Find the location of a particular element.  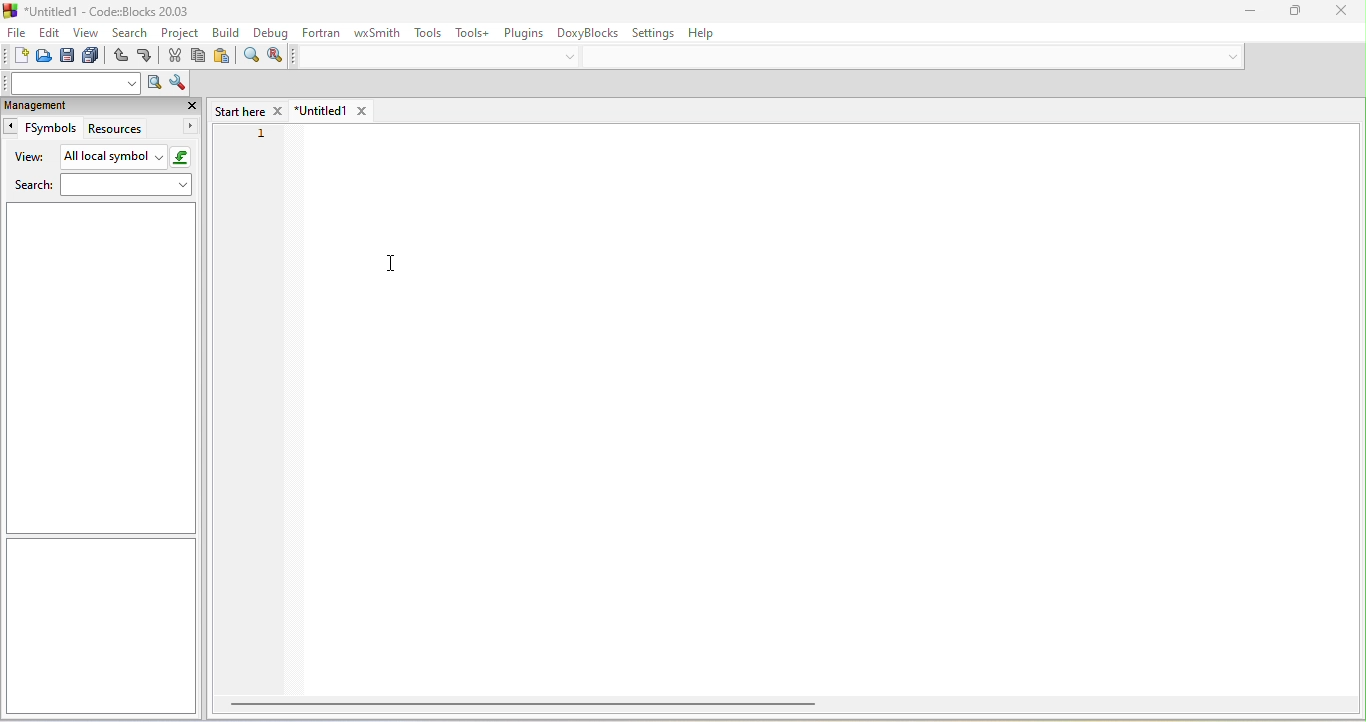

open is located at coordinates (47, 56).